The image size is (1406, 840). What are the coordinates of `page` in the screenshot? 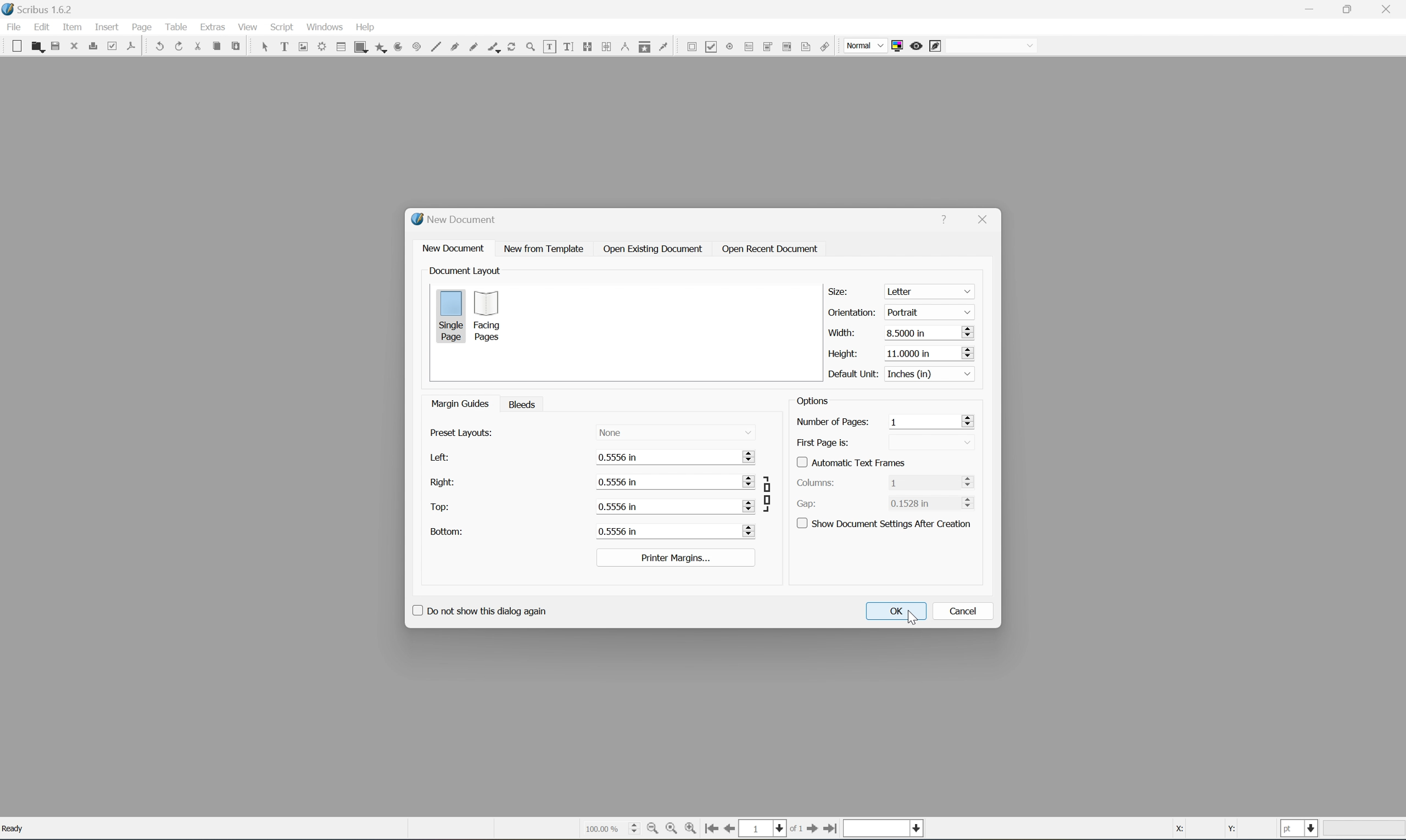 It's located at (142, 27).